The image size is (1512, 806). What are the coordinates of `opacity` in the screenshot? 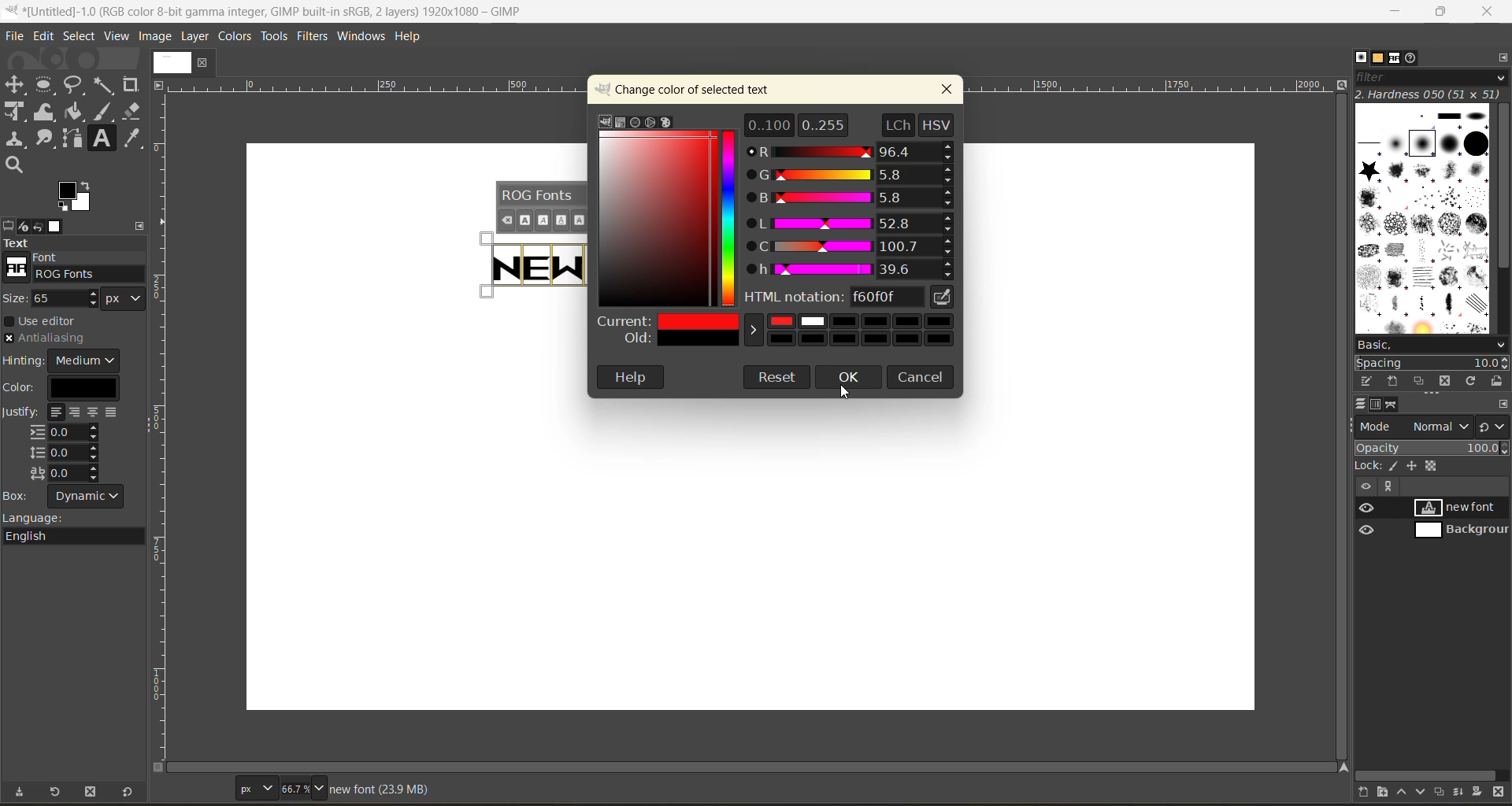 It's located at (1432, 450).